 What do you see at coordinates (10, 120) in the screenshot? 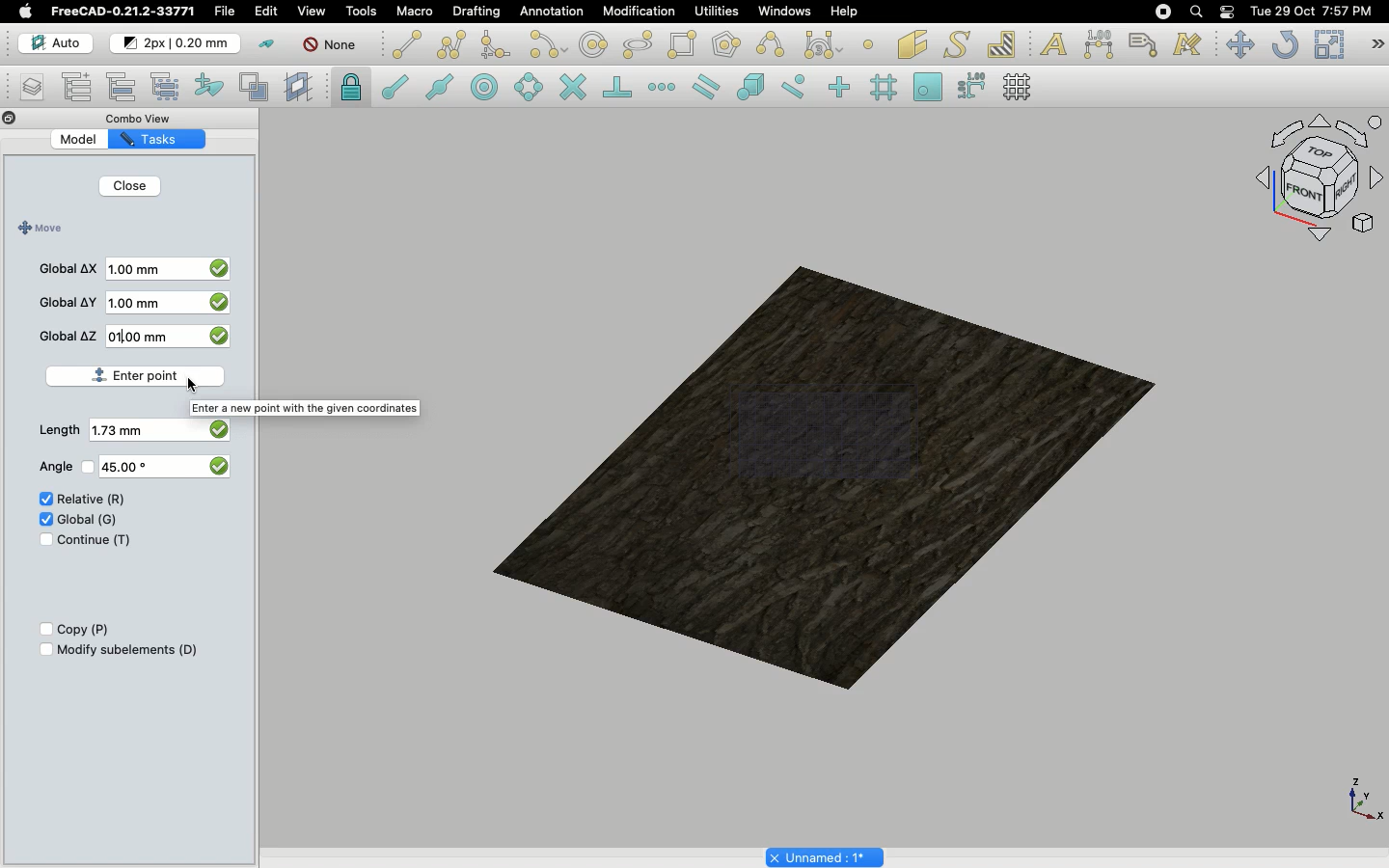
I see `Close` at bounding box center [10, 120].